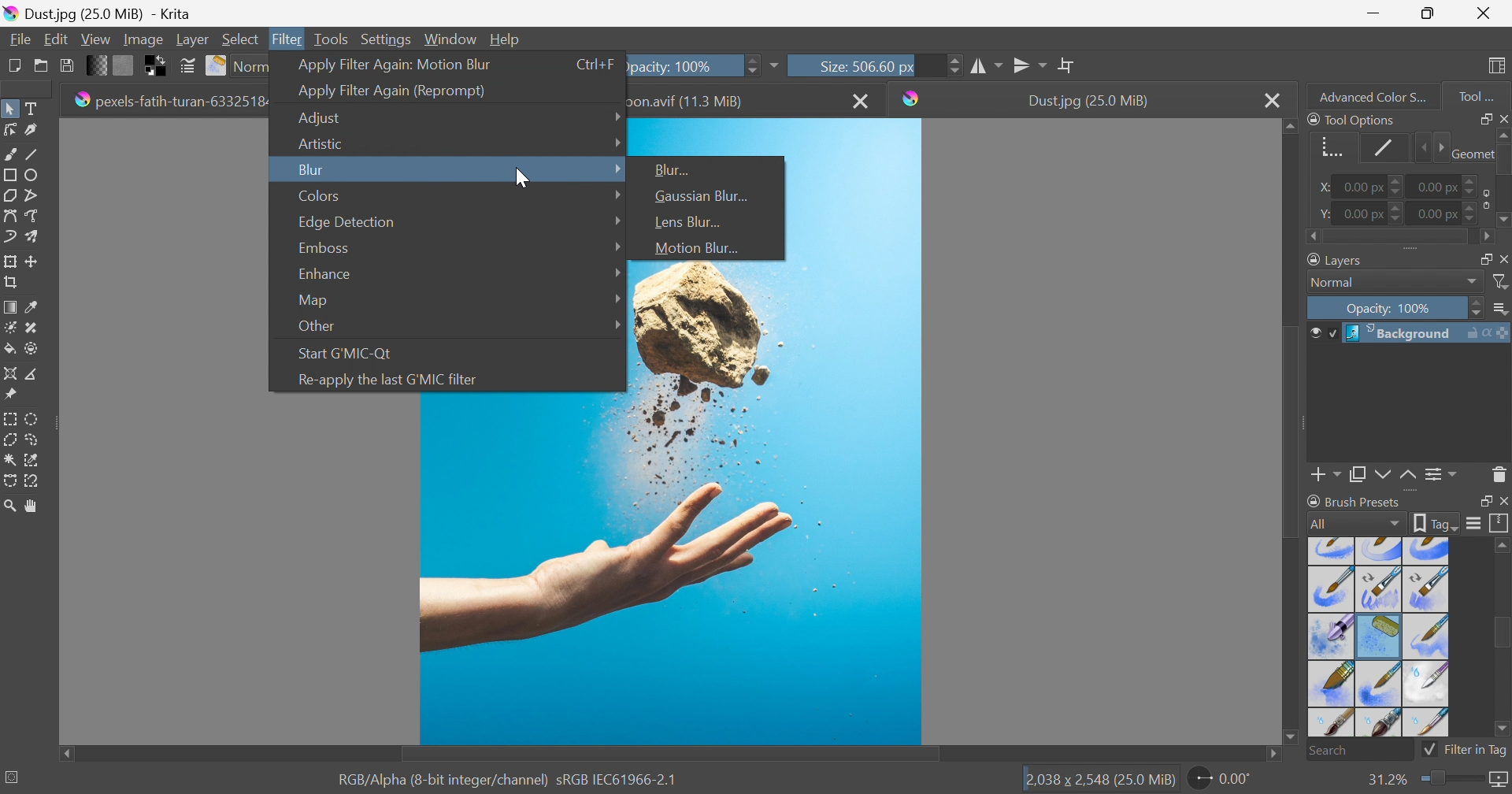 Image resolution: width=1512 pixels, height=794 pixels. Describe the element at coordinates (1337, 283) in the screenshot. I see `Normal` at that location.